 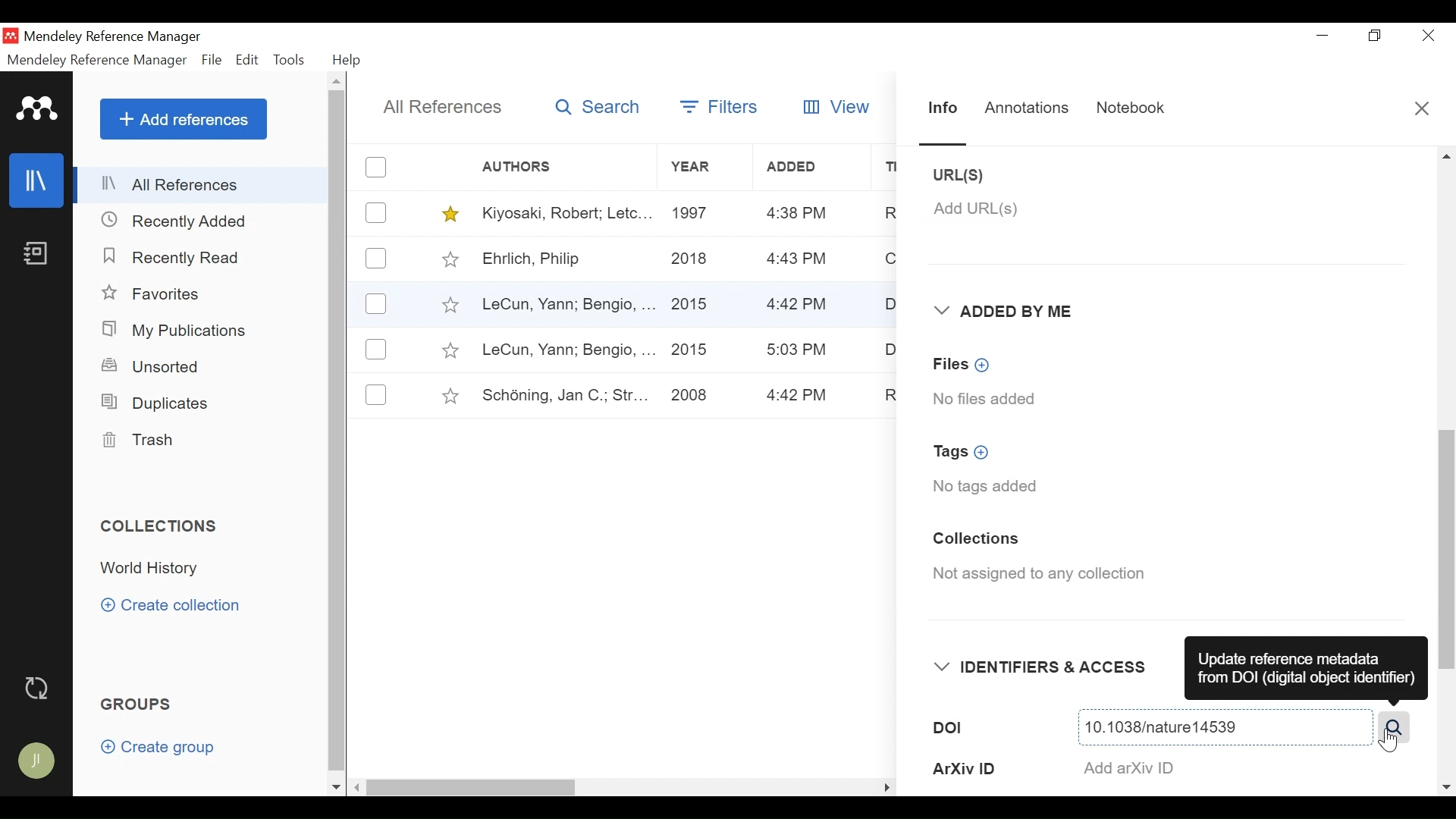 What do you see at coordinates (704, 168) in the screenshot?
I see `Year` at bounding box center [704, 168].